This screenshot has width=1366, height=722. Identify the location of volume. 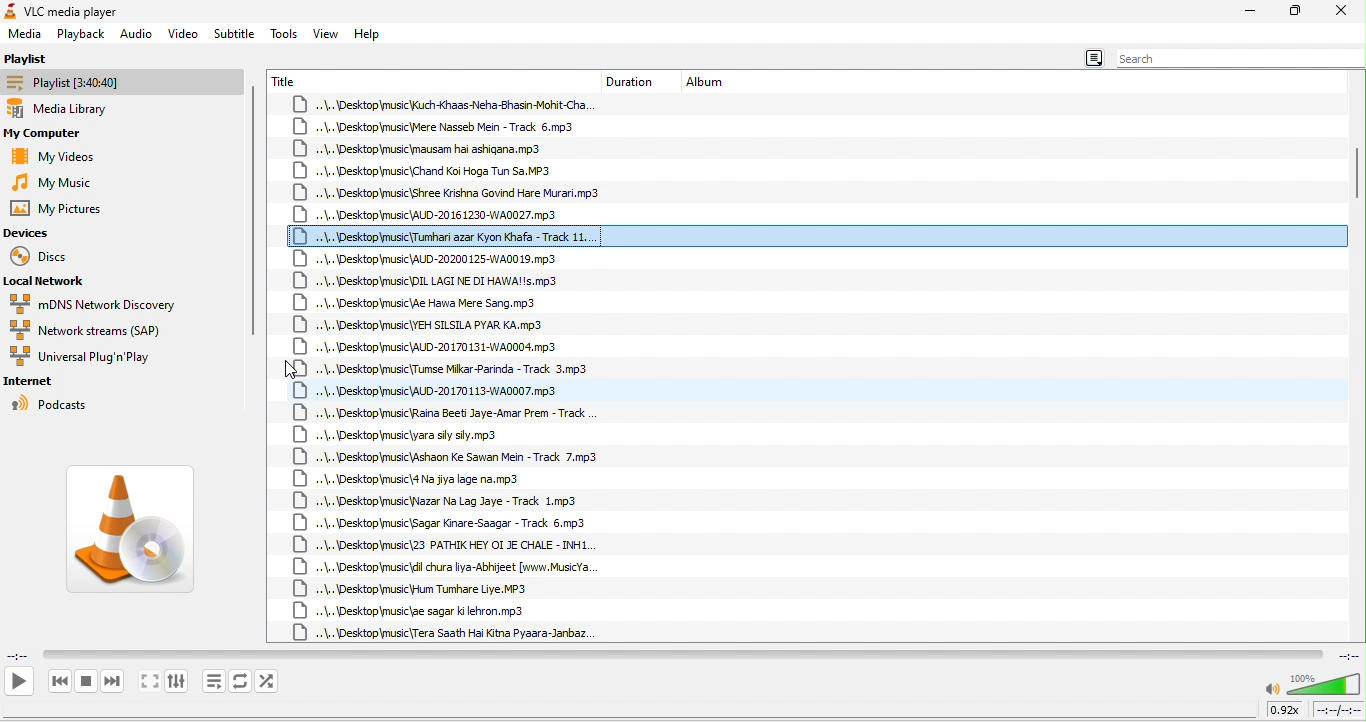
(1324, 684).